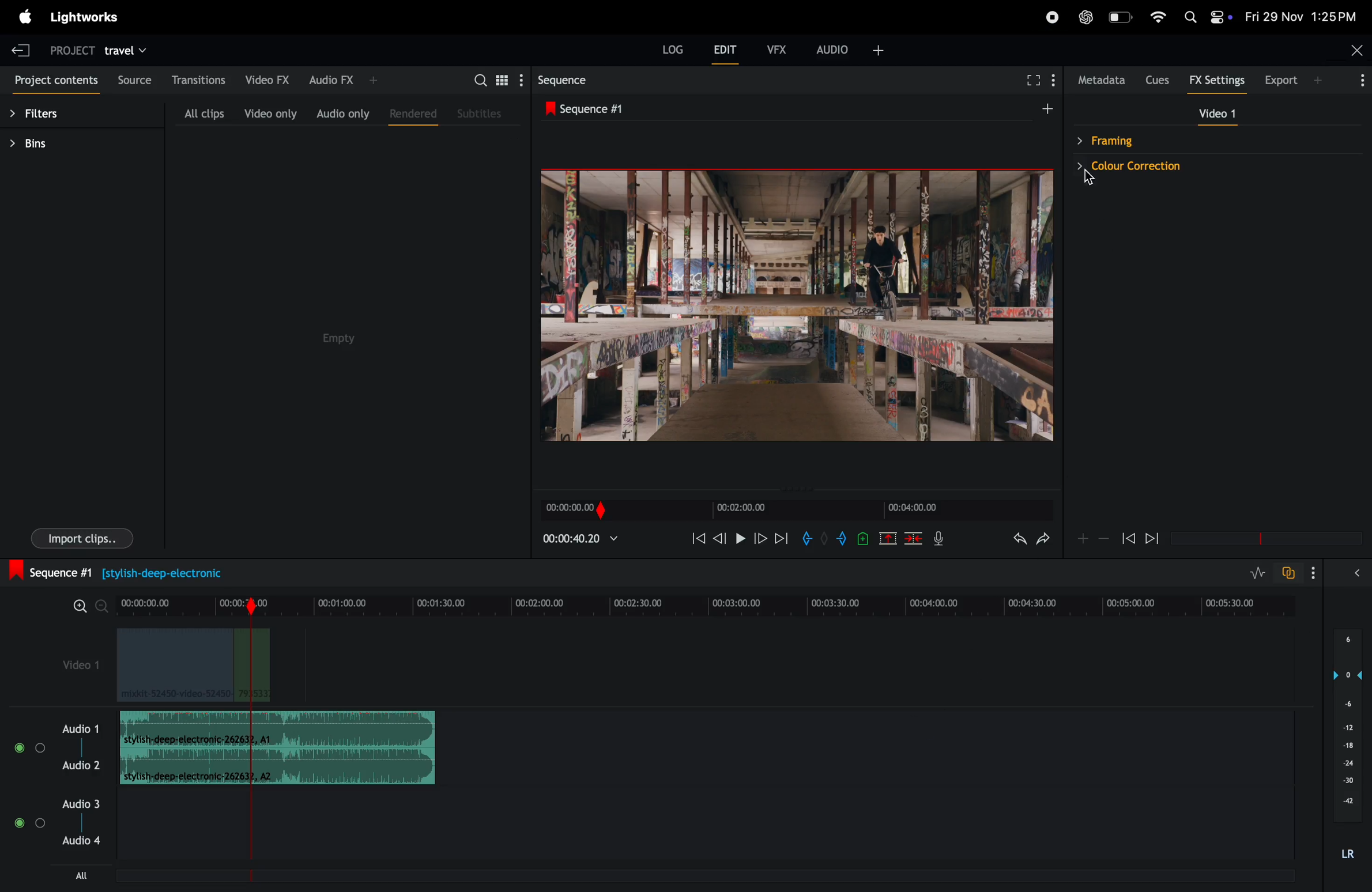 The height and width of the screenshot is (892, 1372). I want to click on Log, so click(673, 49).